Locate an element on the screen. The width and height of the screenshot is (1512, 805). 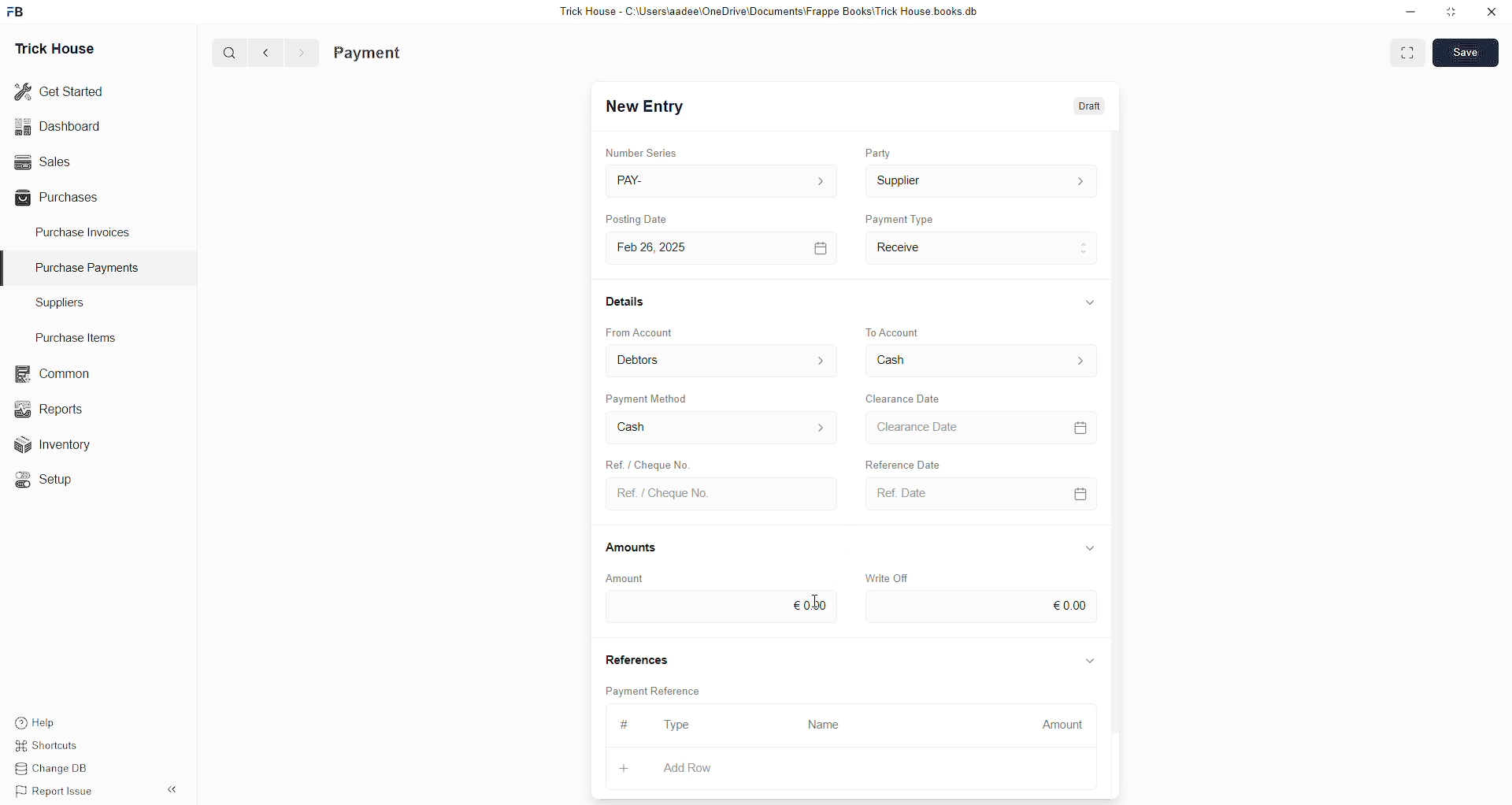
Ref. / Cheque No. is located at coordinates (656, 465).